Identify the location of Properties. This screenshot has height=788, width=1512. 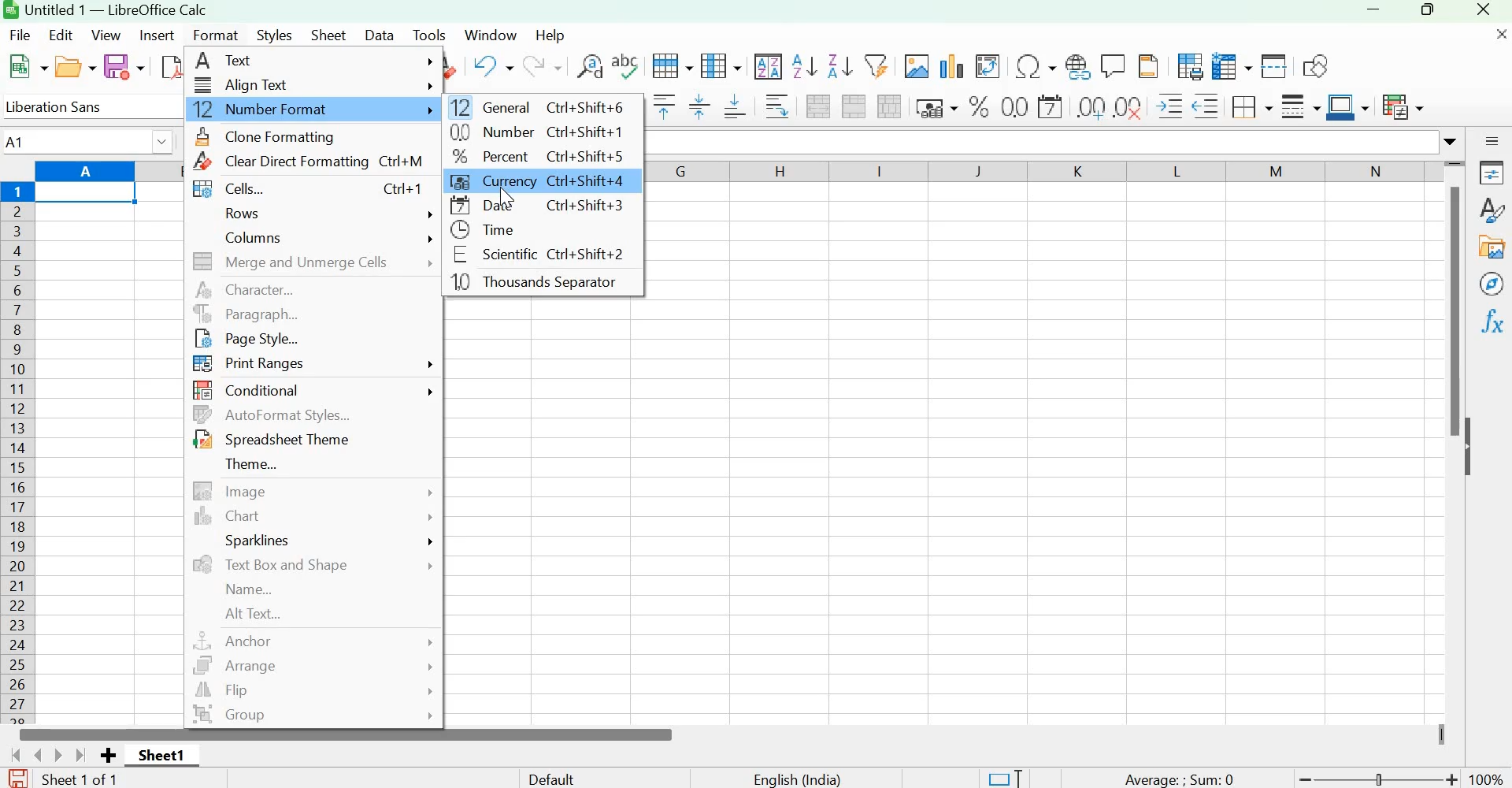
(1492, 173).